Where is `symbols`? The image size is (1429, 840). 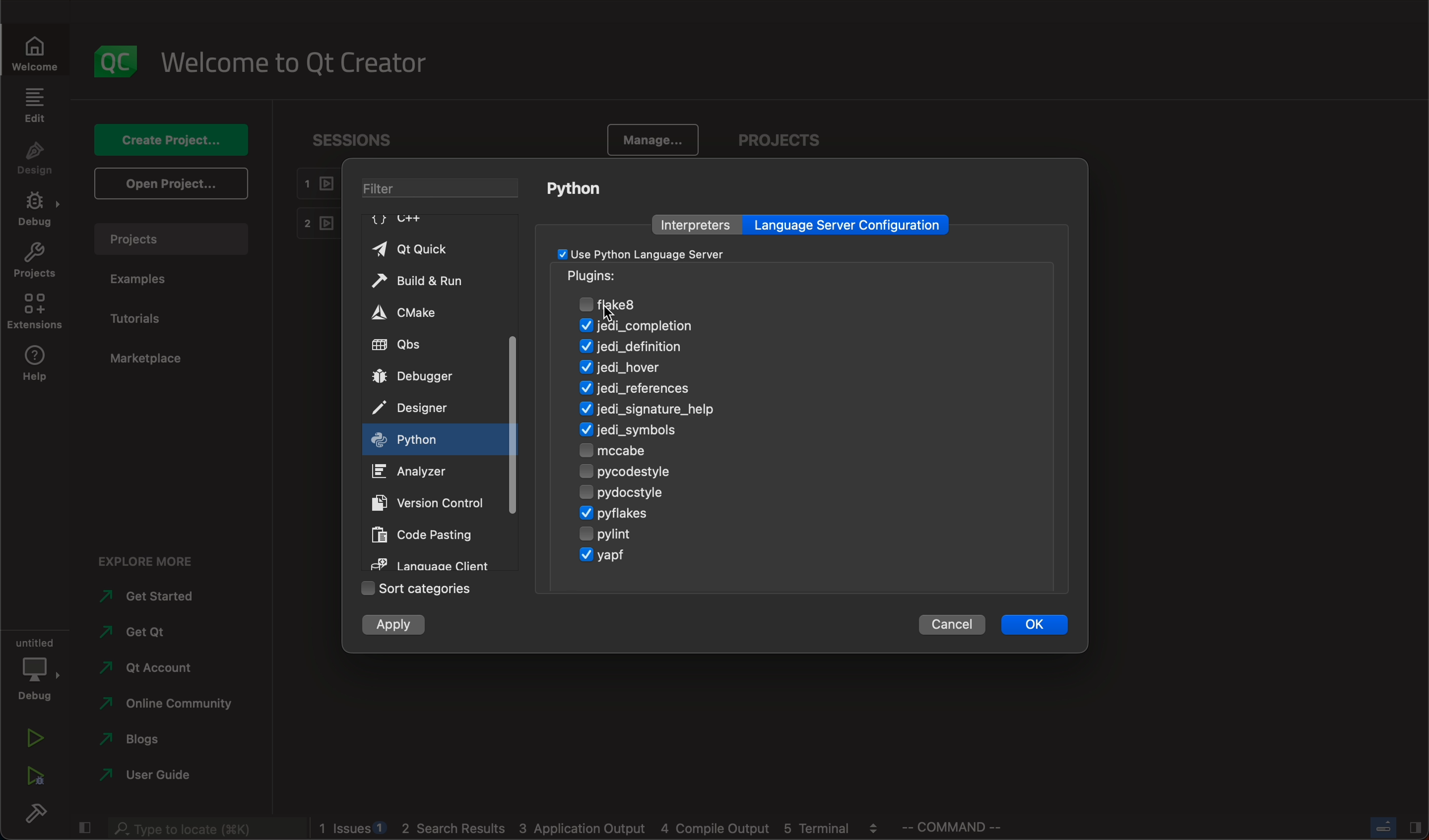
symbols is located at coordinates (648, 431).